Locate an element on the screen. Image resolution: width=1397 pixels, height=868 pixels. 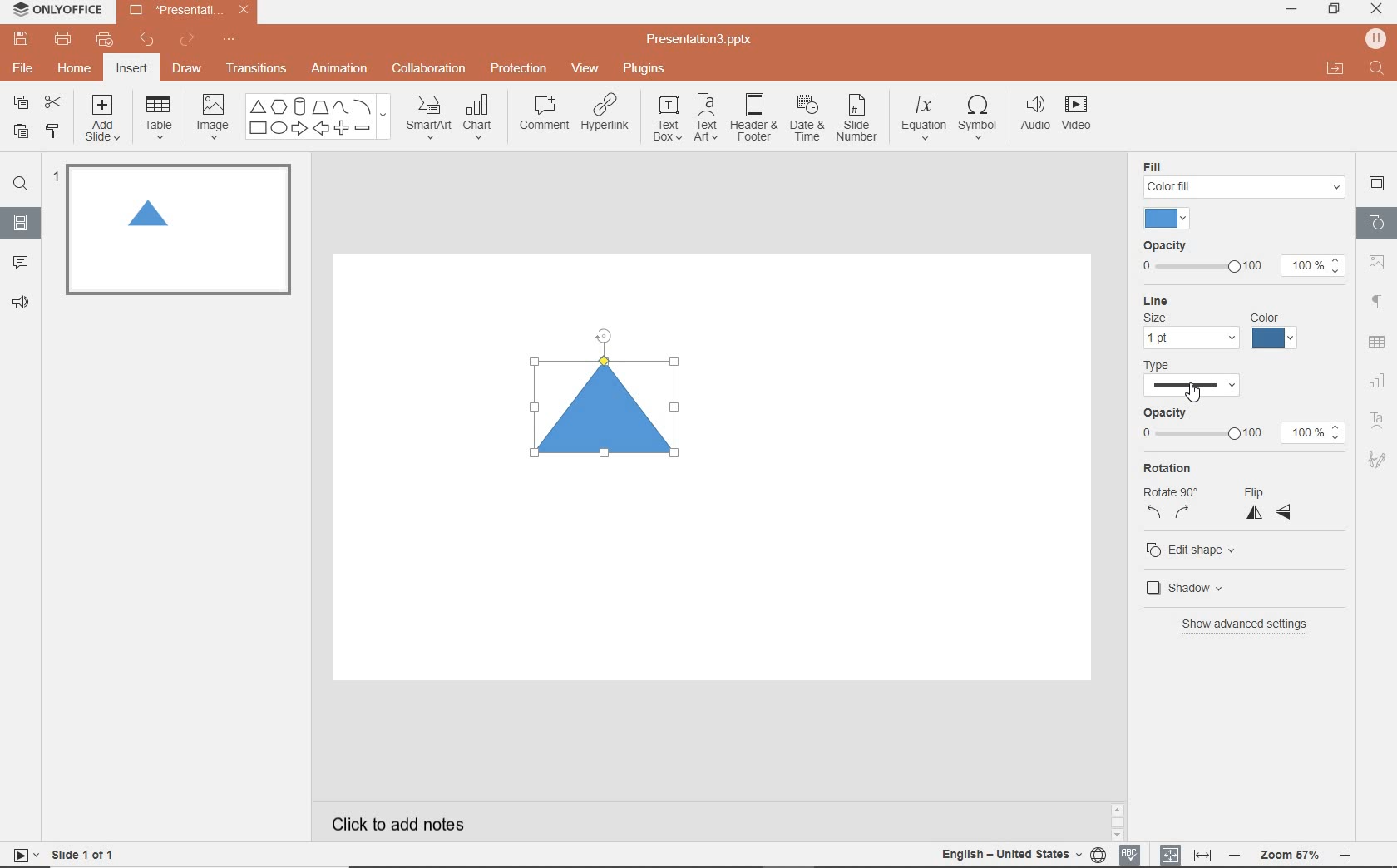
PLUGINS is located at coordinates (646, 67).